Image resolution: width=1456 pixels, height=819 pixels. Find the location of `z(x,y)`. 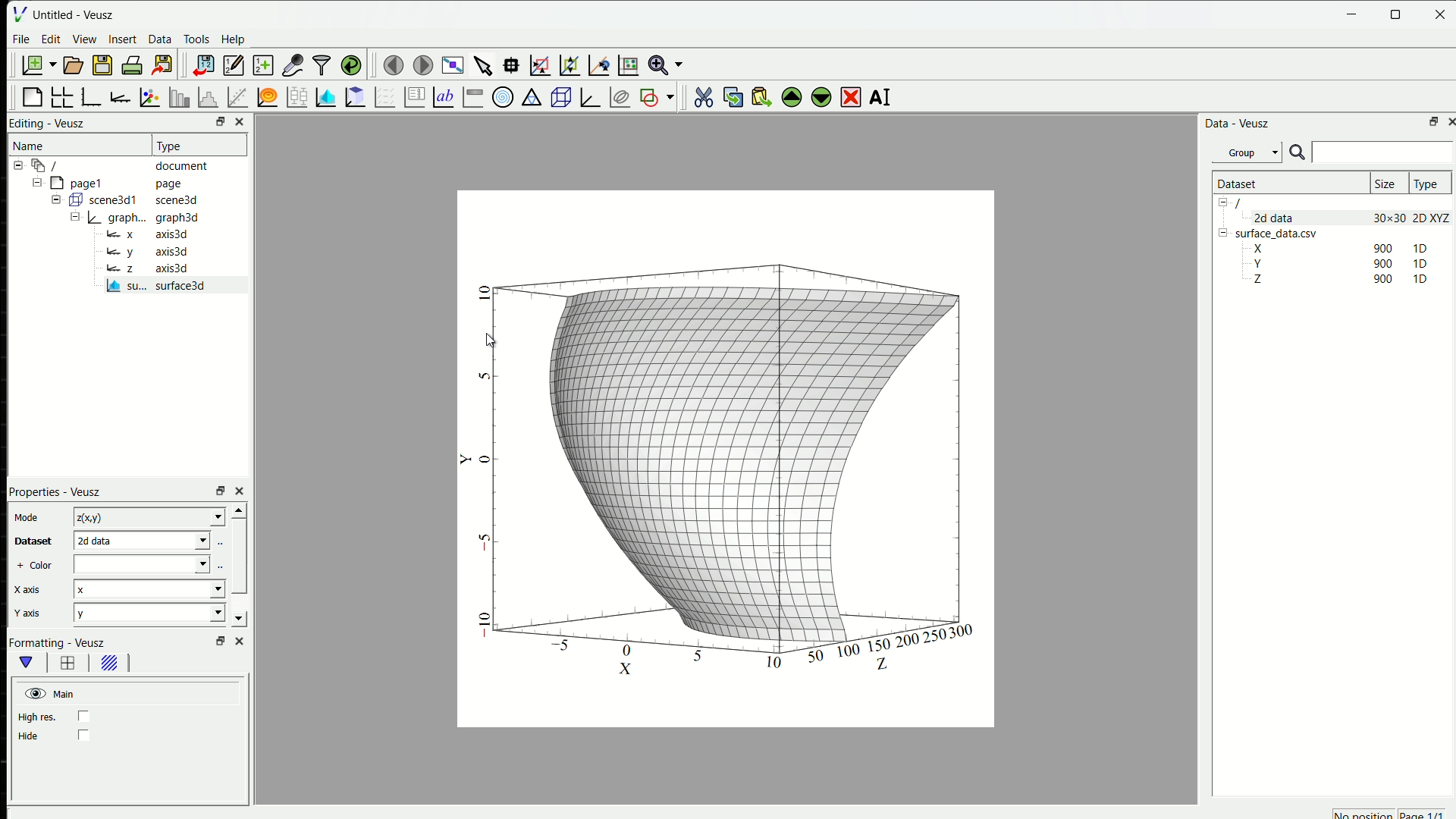

z(x,y) is located at coordinates (140, 516).